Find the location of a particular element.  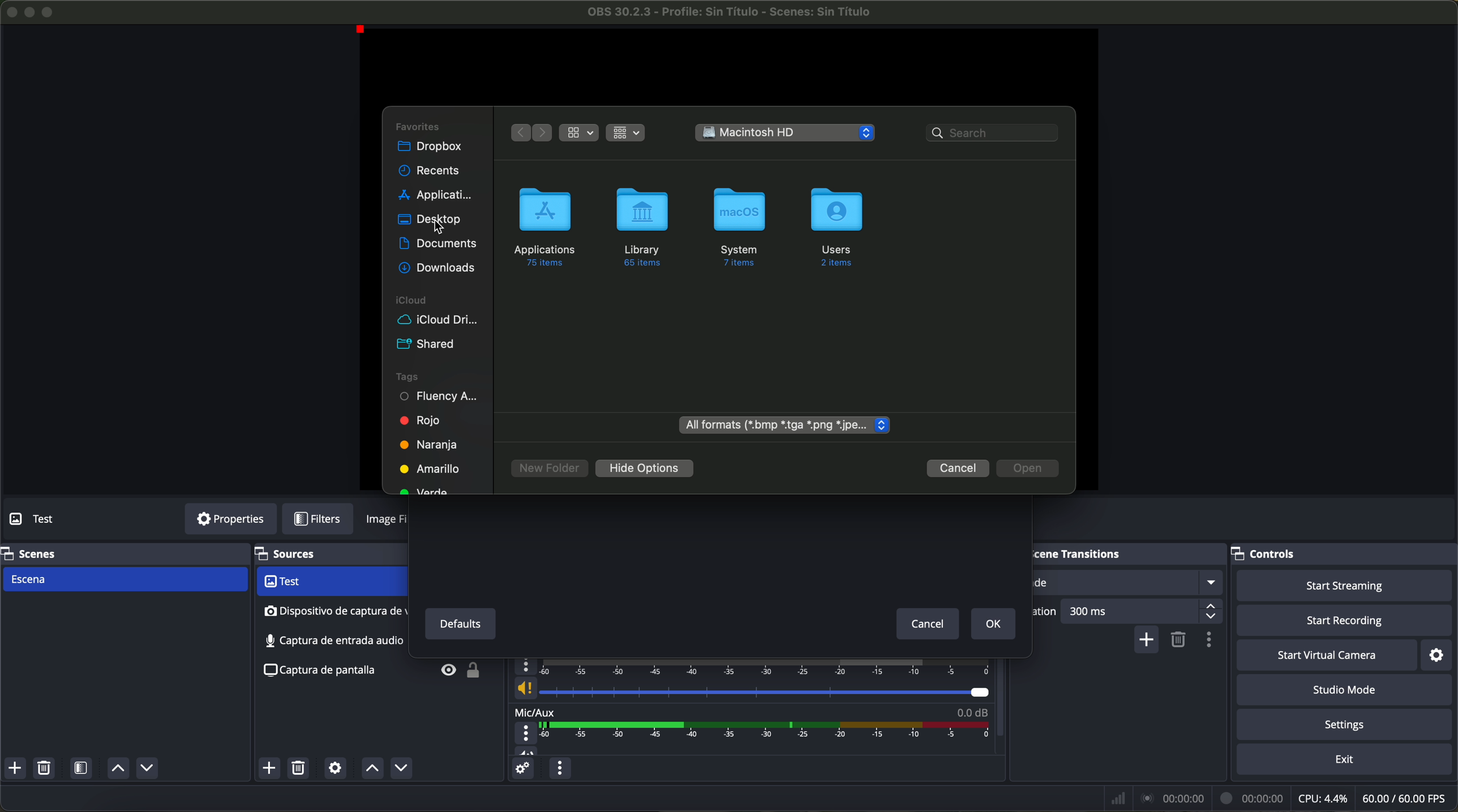

fade is located at coordinates (1128, 582).